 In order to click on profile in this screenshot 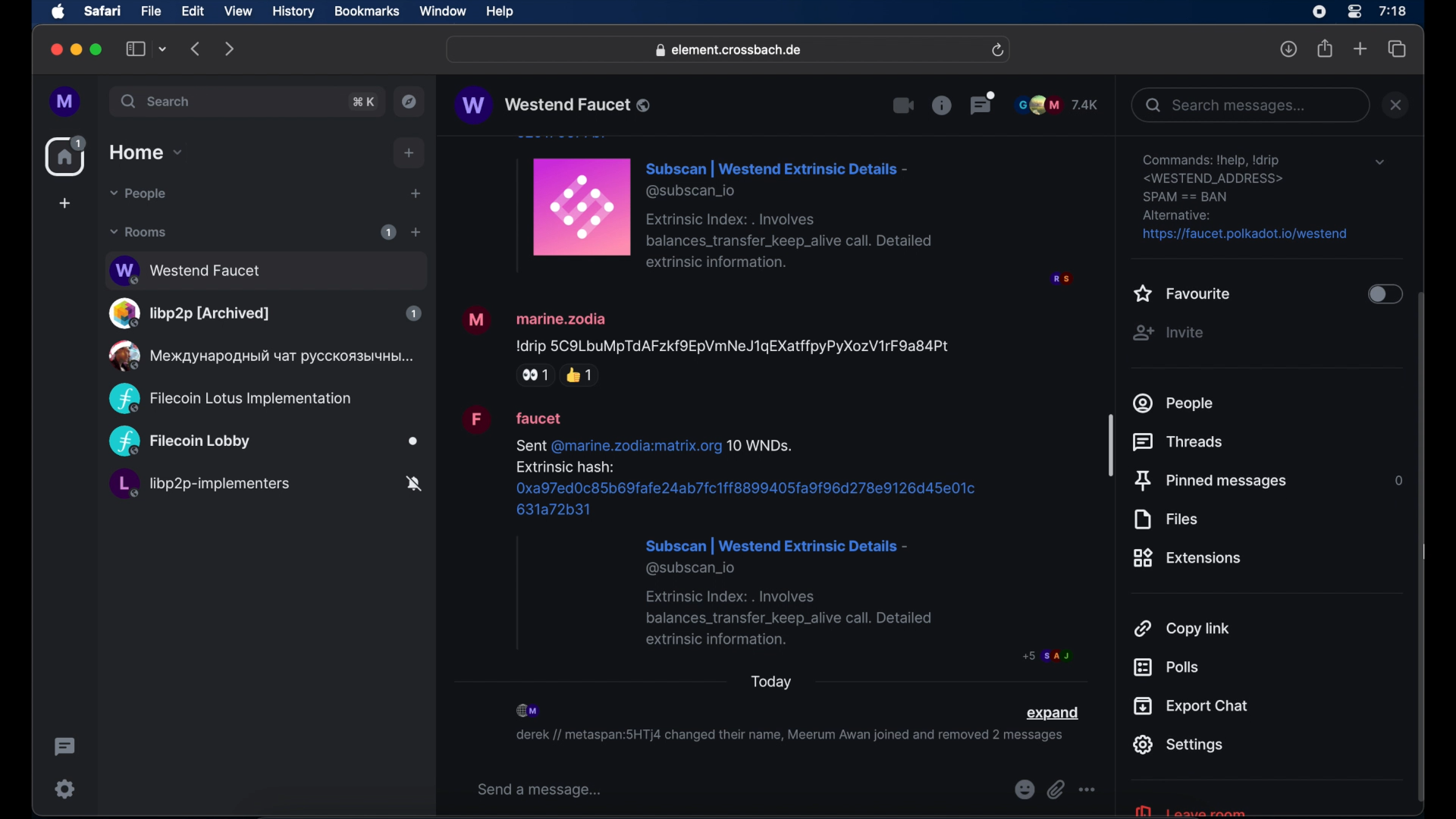, I will do `click(66, 102)`.